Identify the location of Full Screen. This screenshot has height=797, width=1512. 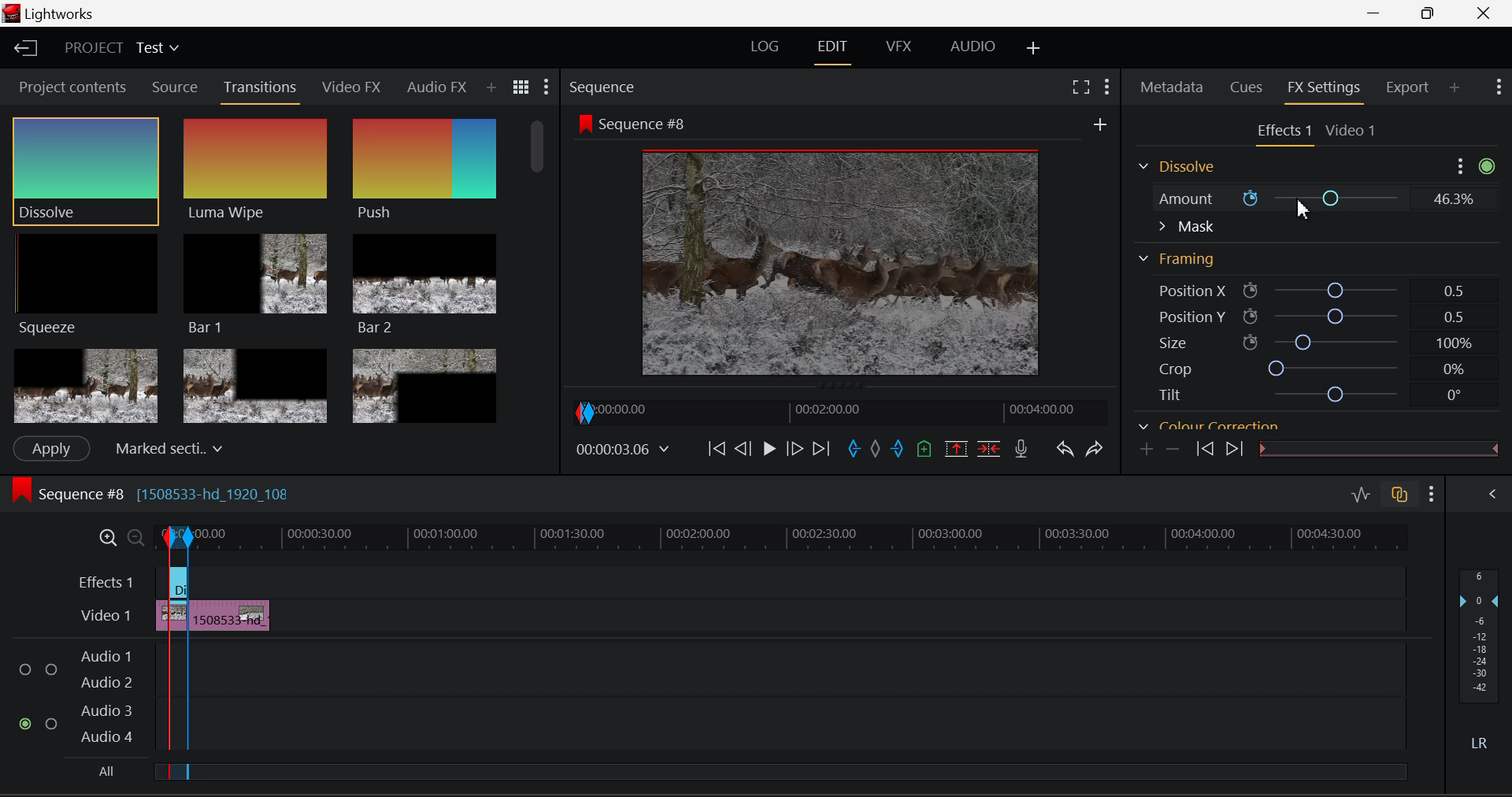
(1083, 87).